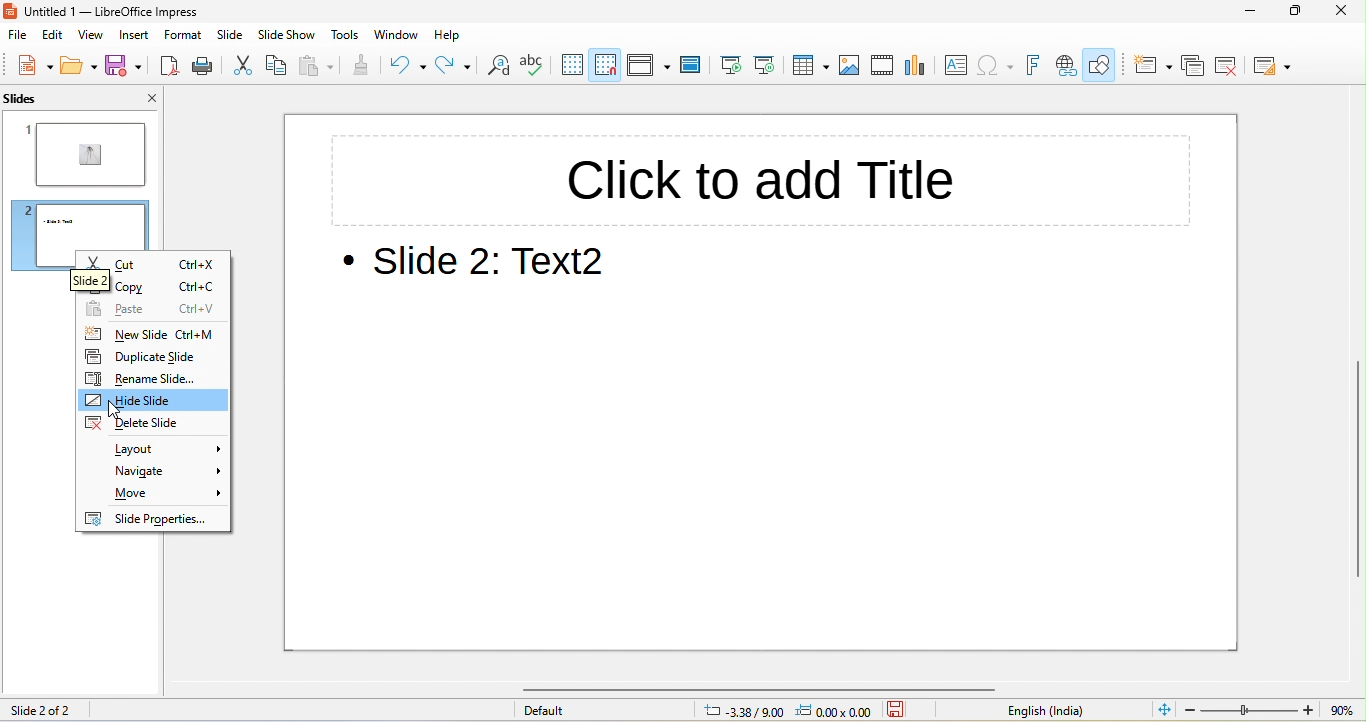  Describe the element at coordinates (691, 66) in the screenshot. I see `master slide` at that location.